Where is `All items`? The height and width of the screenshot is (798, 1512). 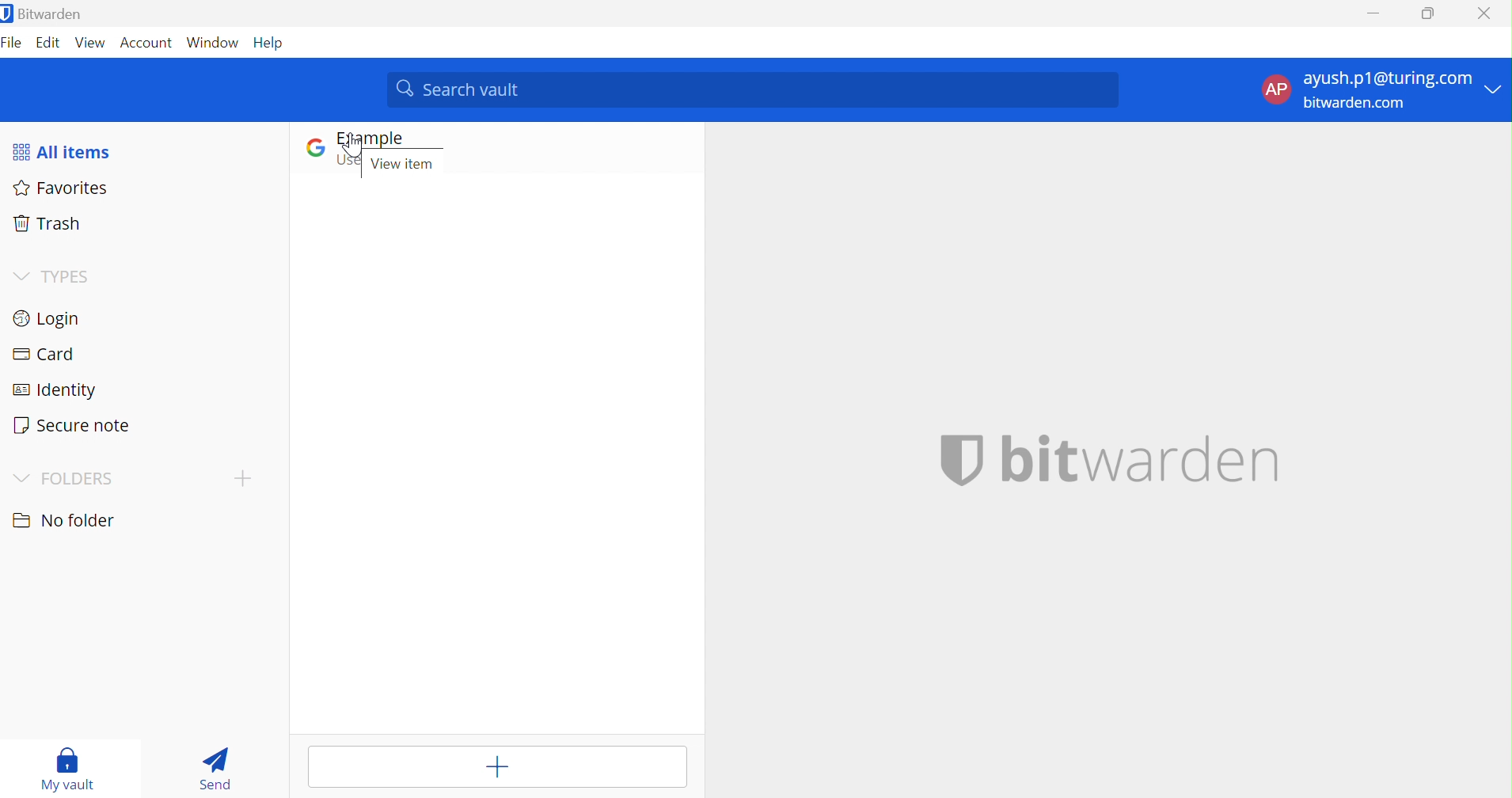 All items is located at coordinates (63, 150).